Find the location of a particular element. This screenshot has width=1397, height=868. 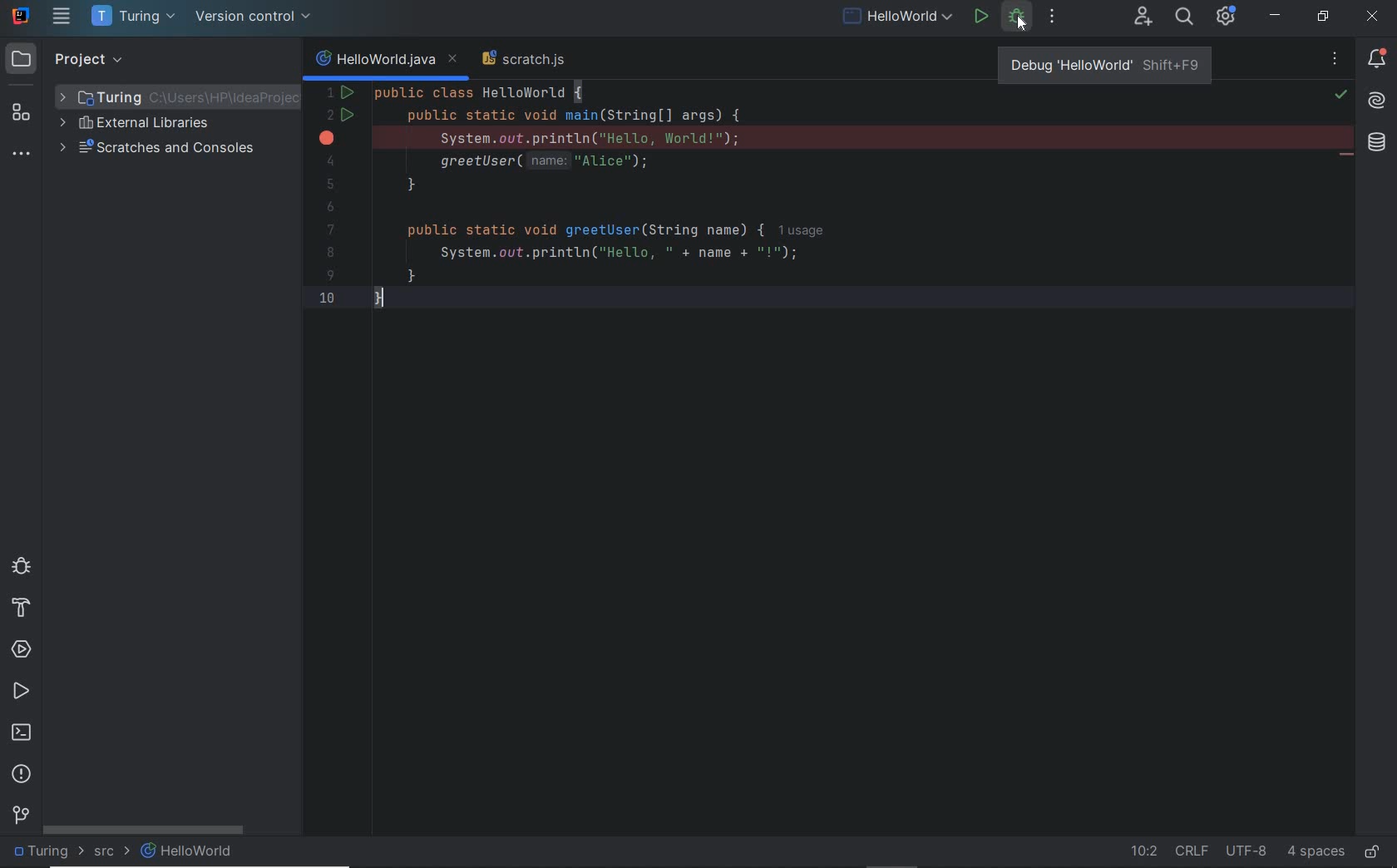

go to line is located at coordinates (1138, 851).